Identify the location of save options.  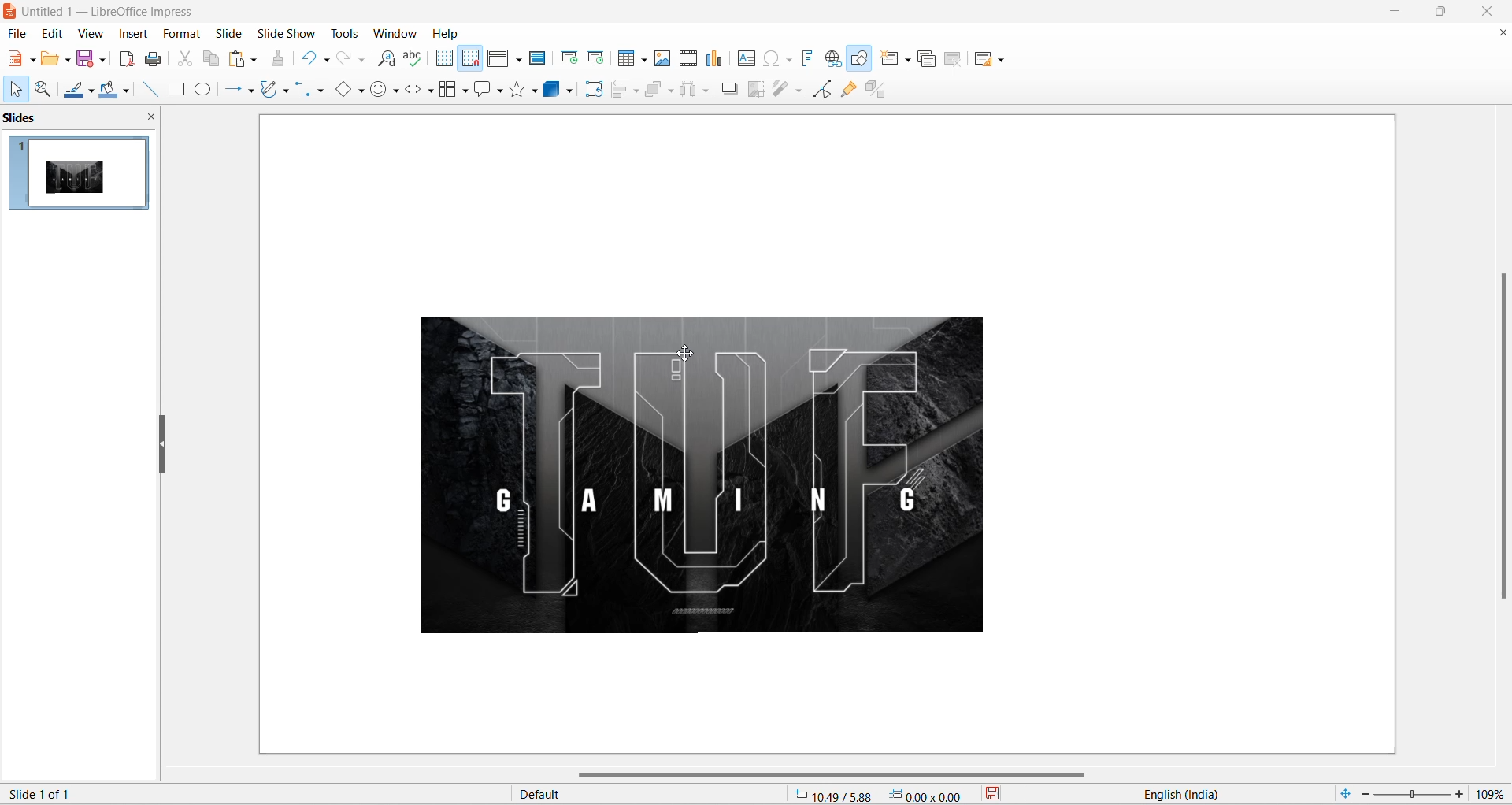
(103, 58).